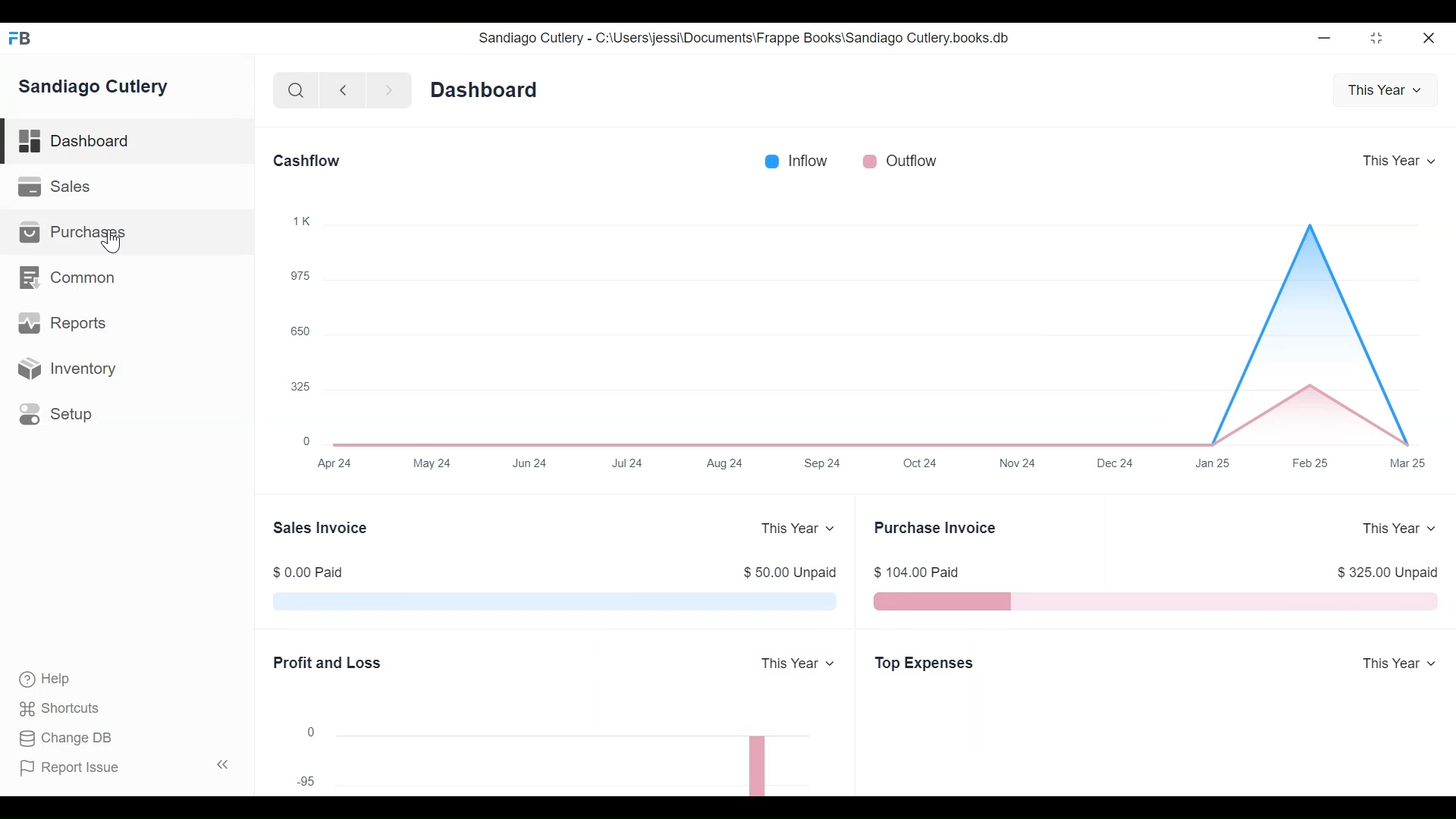  What do you see at coordinates (347, 89) in the screenshot?
I see `back` at bounding box center [347, 89].